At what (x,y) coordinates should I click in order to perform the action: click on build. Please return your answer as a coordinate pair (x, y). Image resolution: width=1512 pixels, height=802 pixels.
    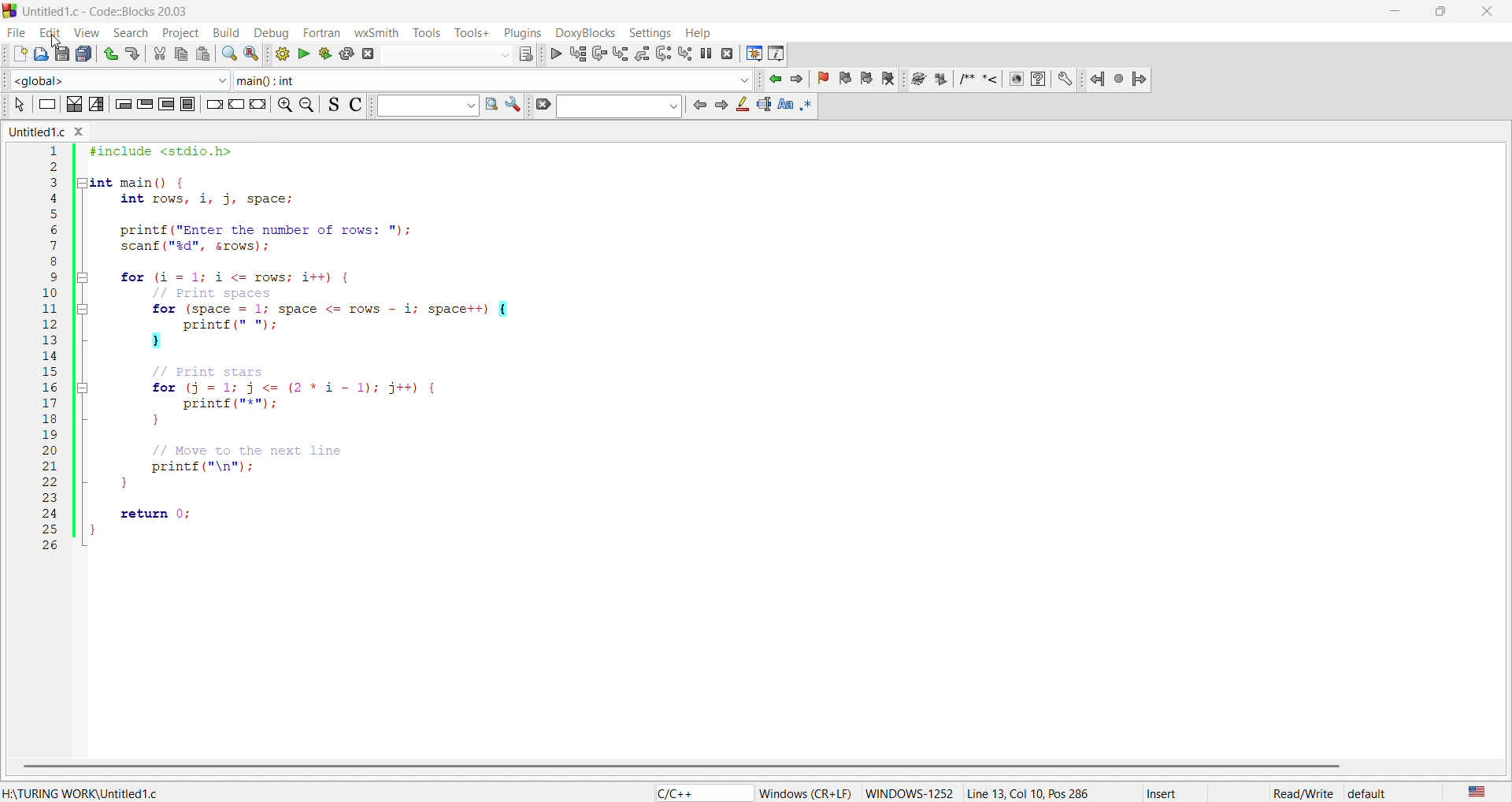
    Looking at the image, I should click on (280, 54).